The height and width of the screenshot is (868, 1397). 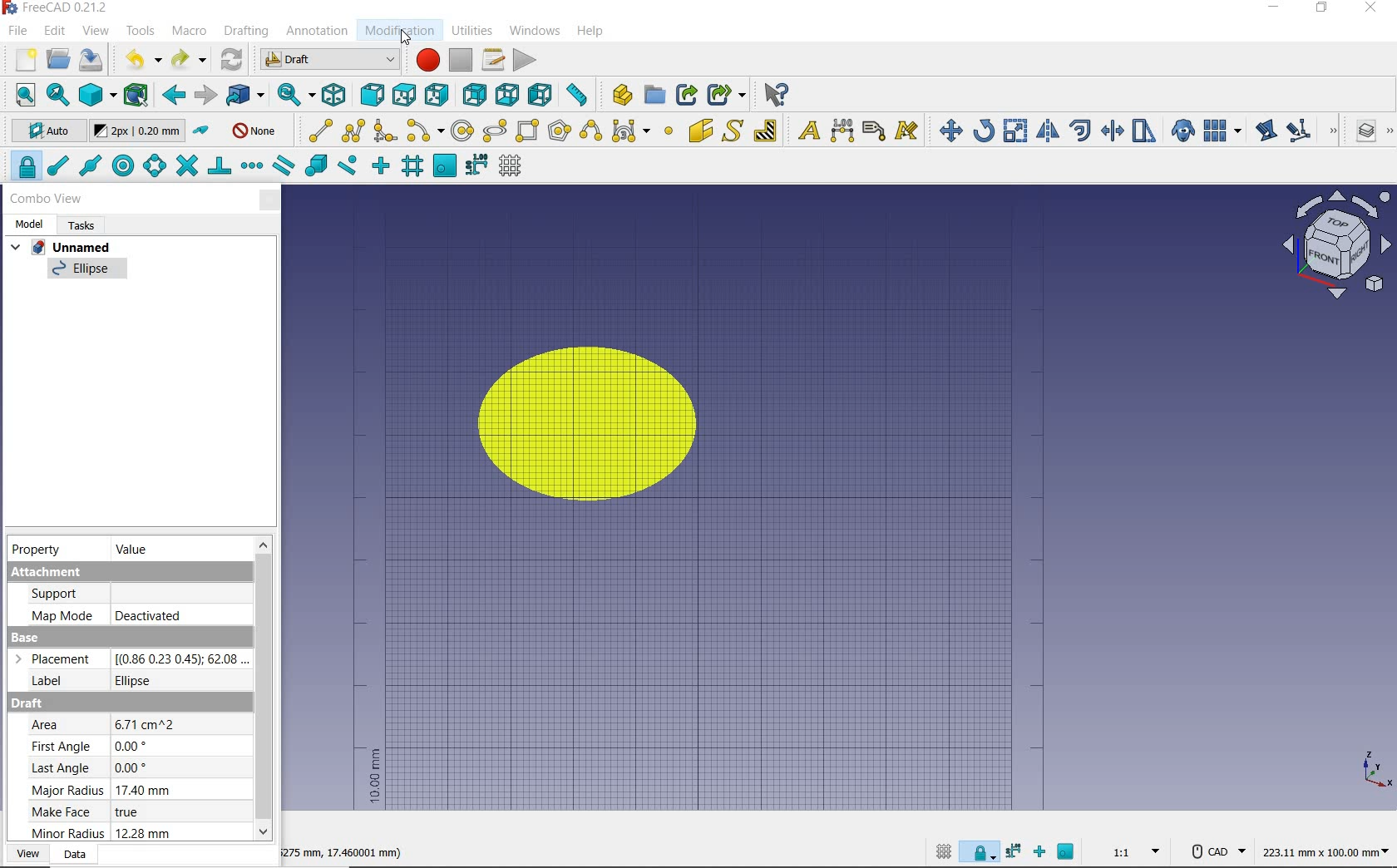 What do you see at coordinates (398, 32) in the screenshot?
I see `modification` at bounding box center [398, 32].